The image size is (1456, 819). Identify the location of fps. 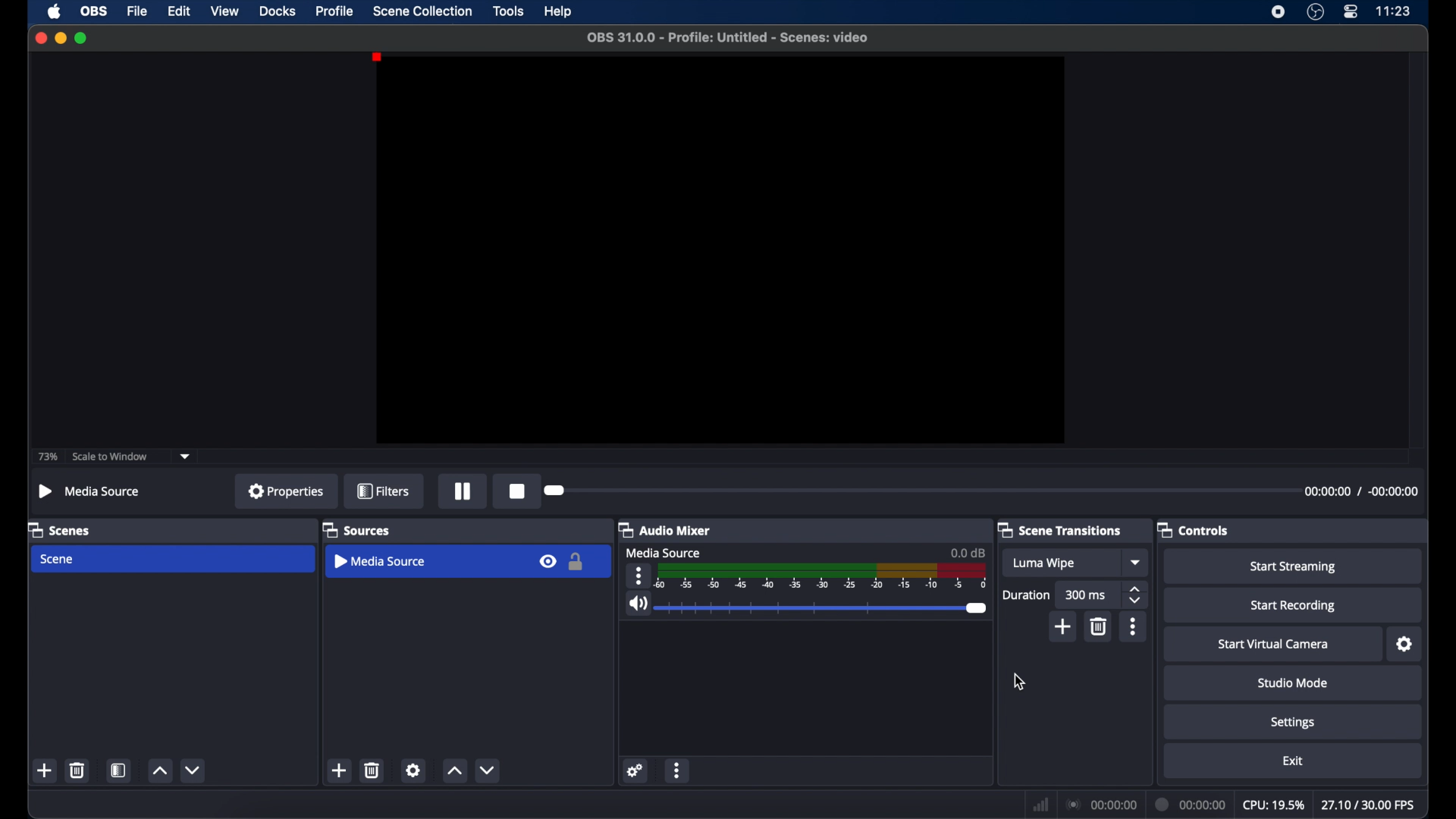
(1370, 805).